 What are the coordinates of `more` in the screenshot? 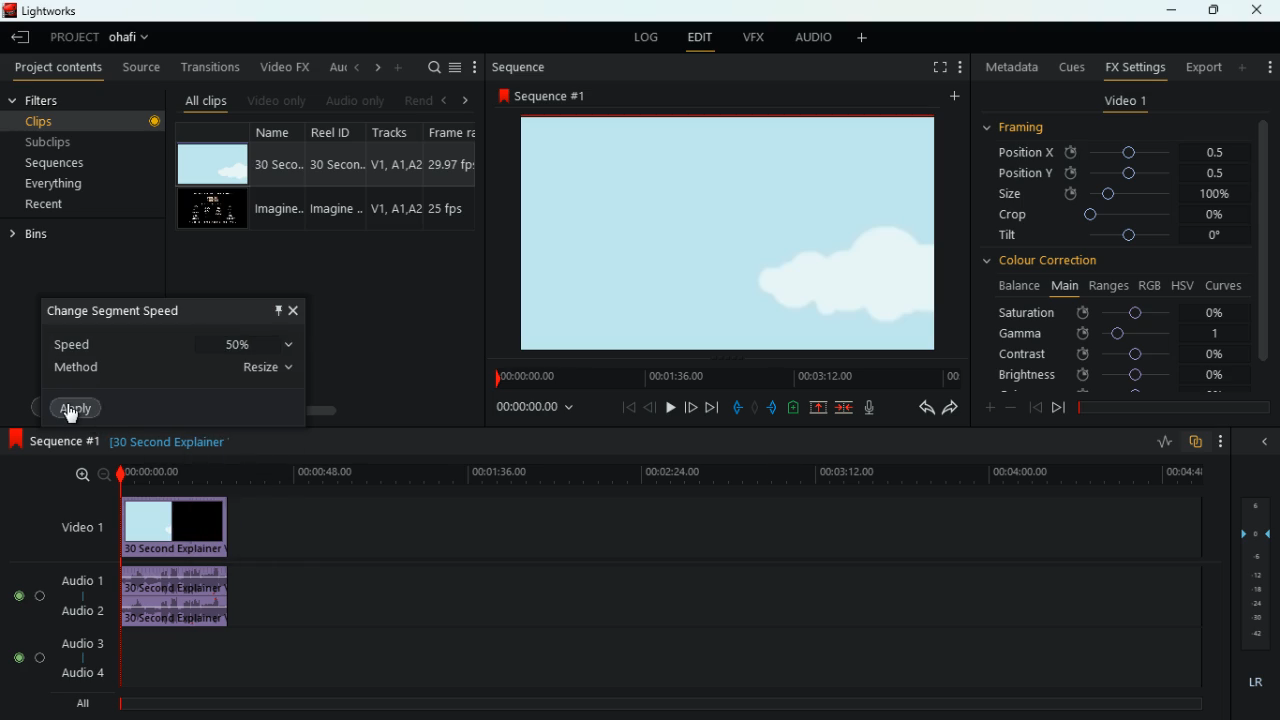 It's located at (1222, 442).